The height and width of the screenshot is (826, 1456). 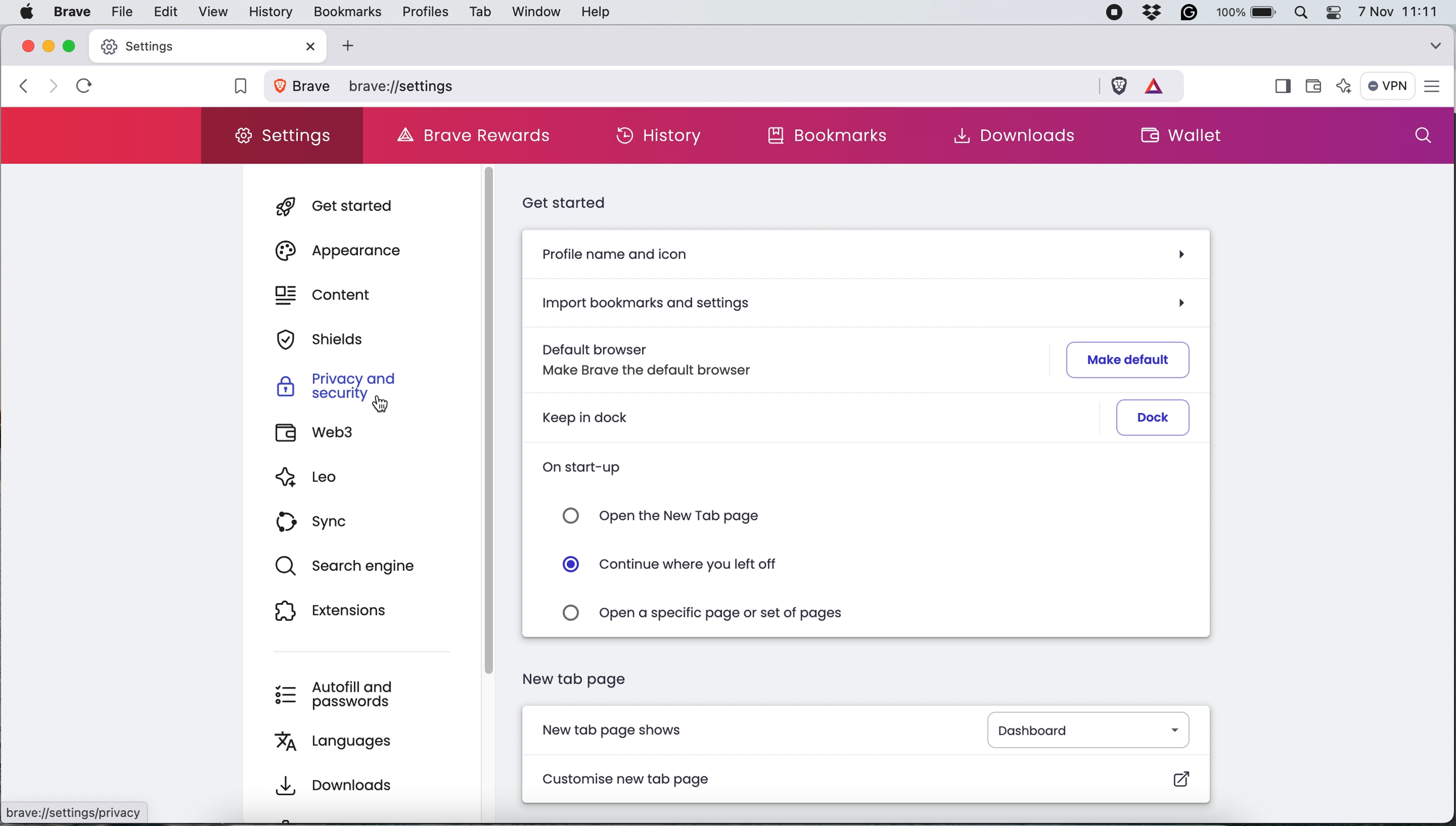 I want to click on history, so click(x=269, y=12).